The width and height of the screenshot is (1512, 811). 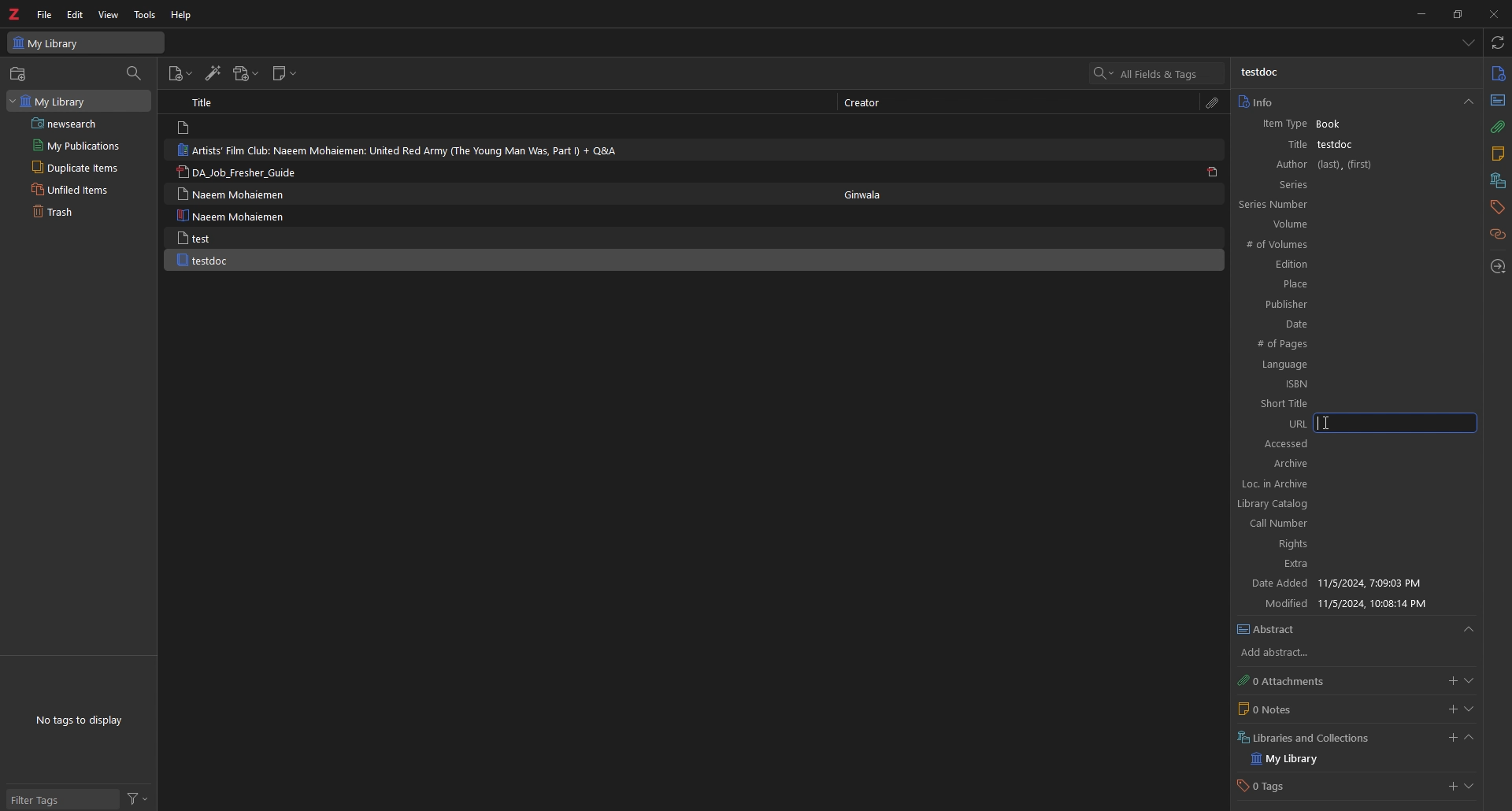 What do you see at coordinates (1288, 682) in the screenshot?
I see `0 attachment` at bounding box center [1288, 682].